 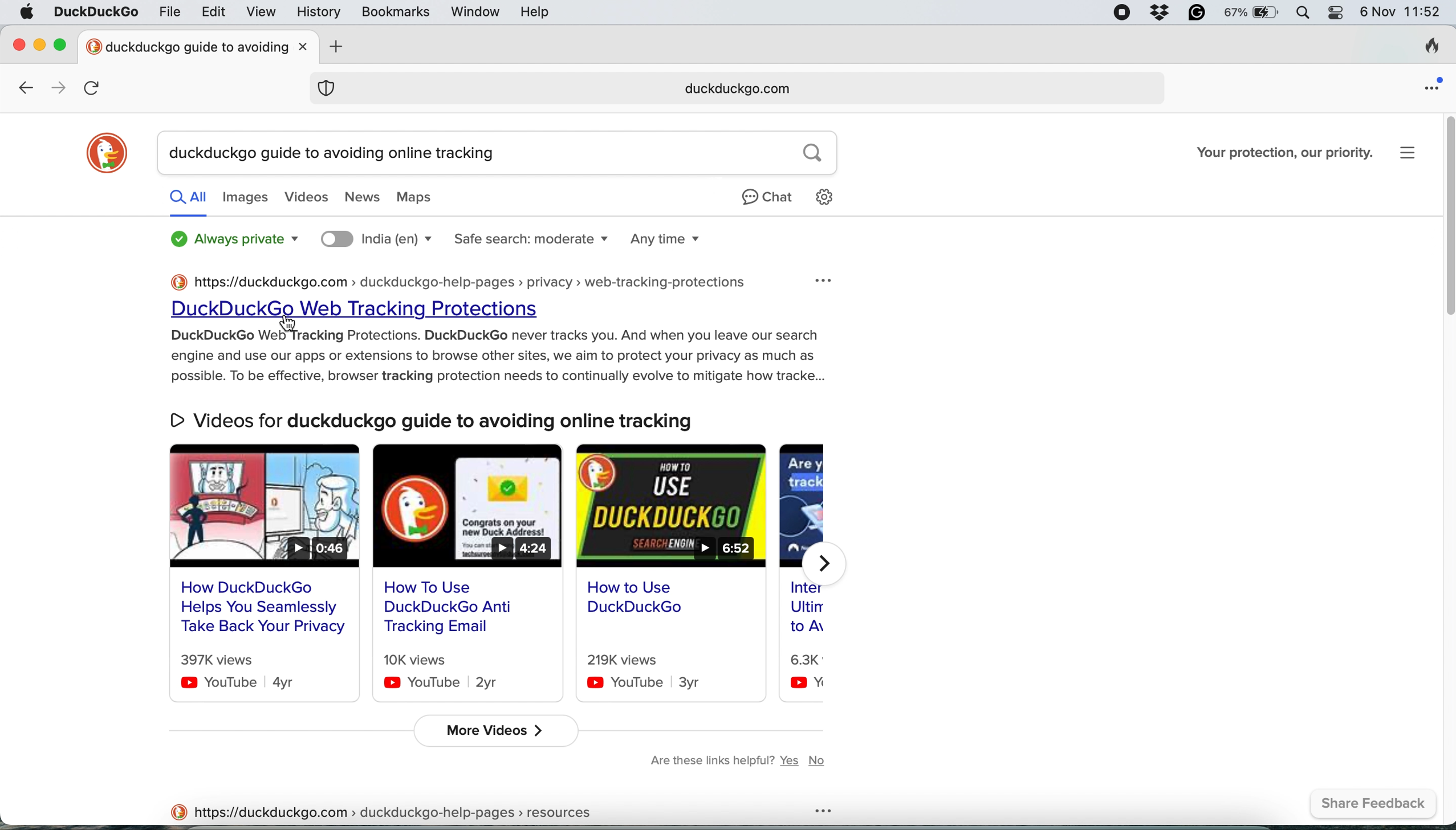 I want to click on system logo, so click(x=29, y=13).